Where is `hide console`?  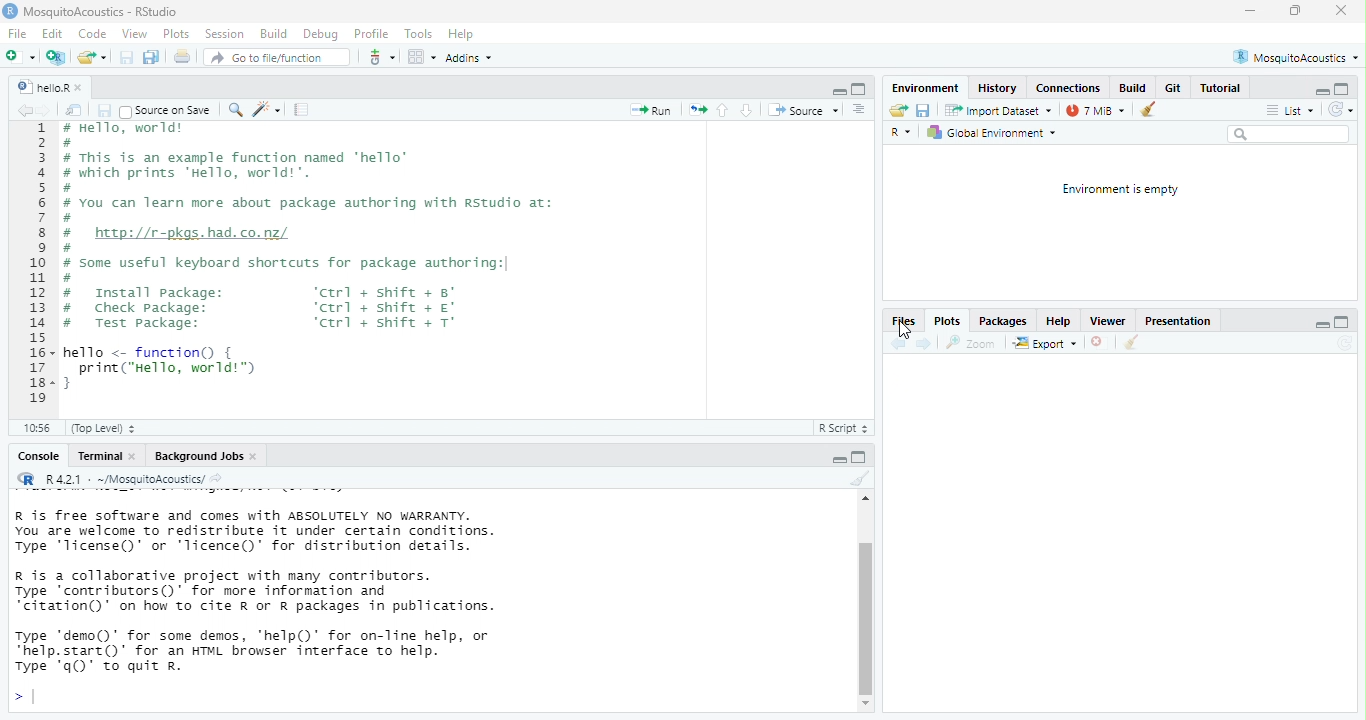 hide console is located at coordinates (1341, 87).